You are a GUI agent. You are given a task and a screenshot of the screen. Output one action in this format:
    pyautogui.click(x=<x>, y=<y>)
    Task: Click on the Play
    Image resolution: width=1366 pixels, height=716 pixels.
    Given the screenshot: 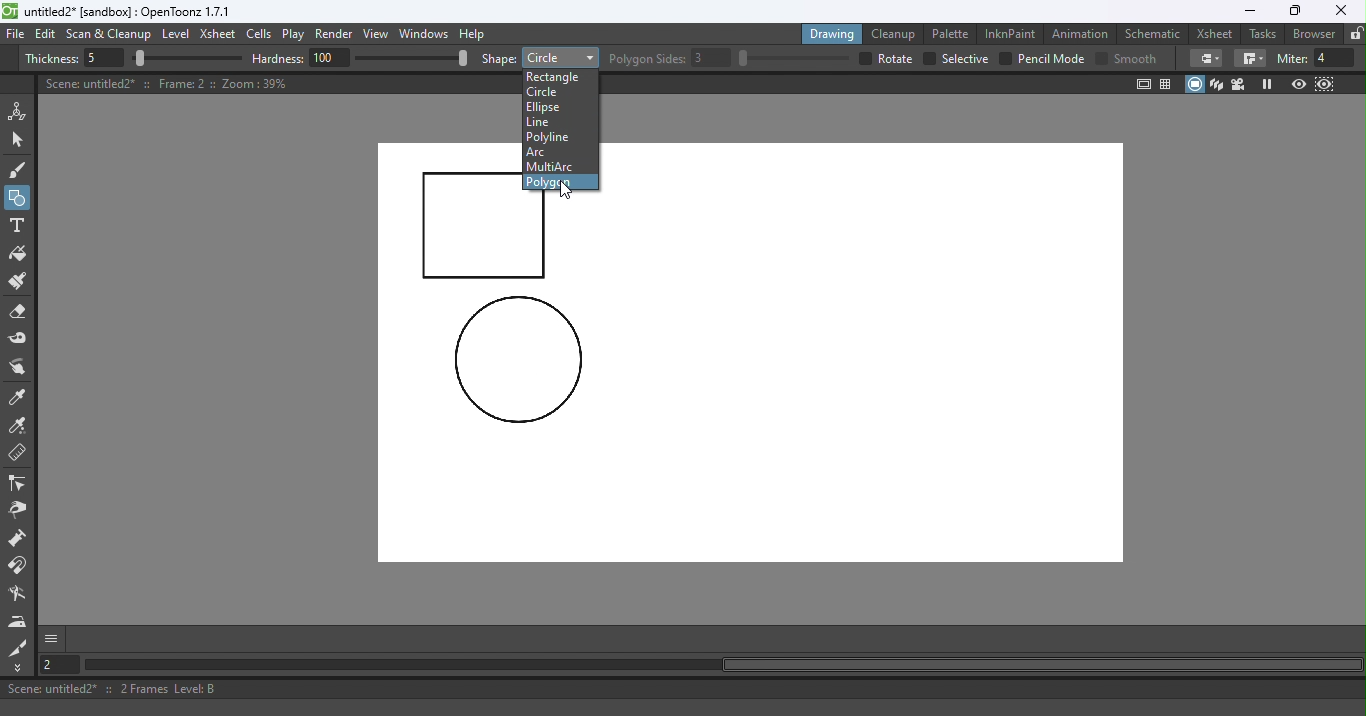 What is the action you would take?
    pyautogui.click(x=297, y=35)
    